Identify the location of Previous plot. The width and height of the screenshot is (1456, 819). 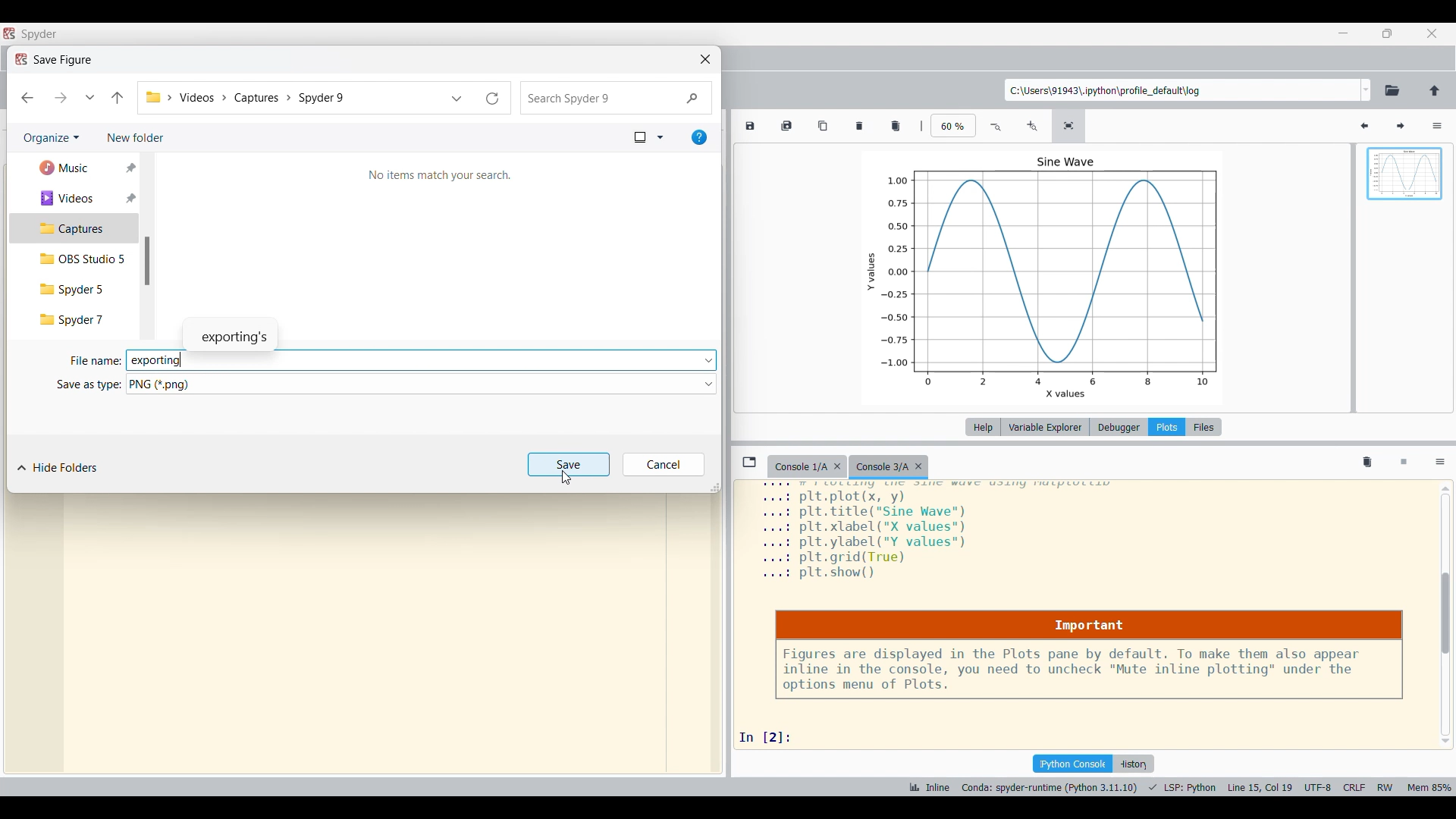
(1364, 127).